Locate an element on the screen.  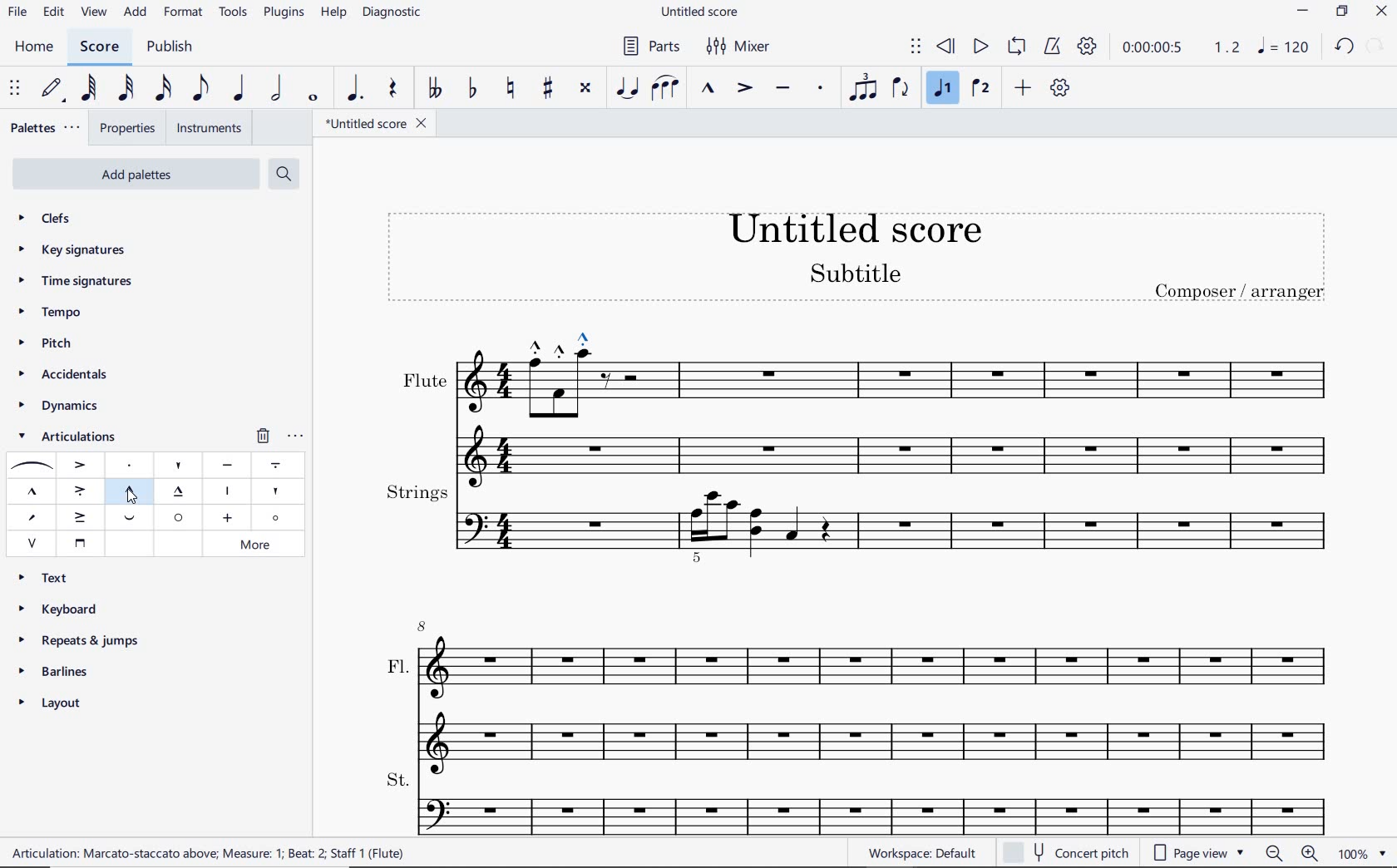
add palettes is located at coordinates (142, 173).